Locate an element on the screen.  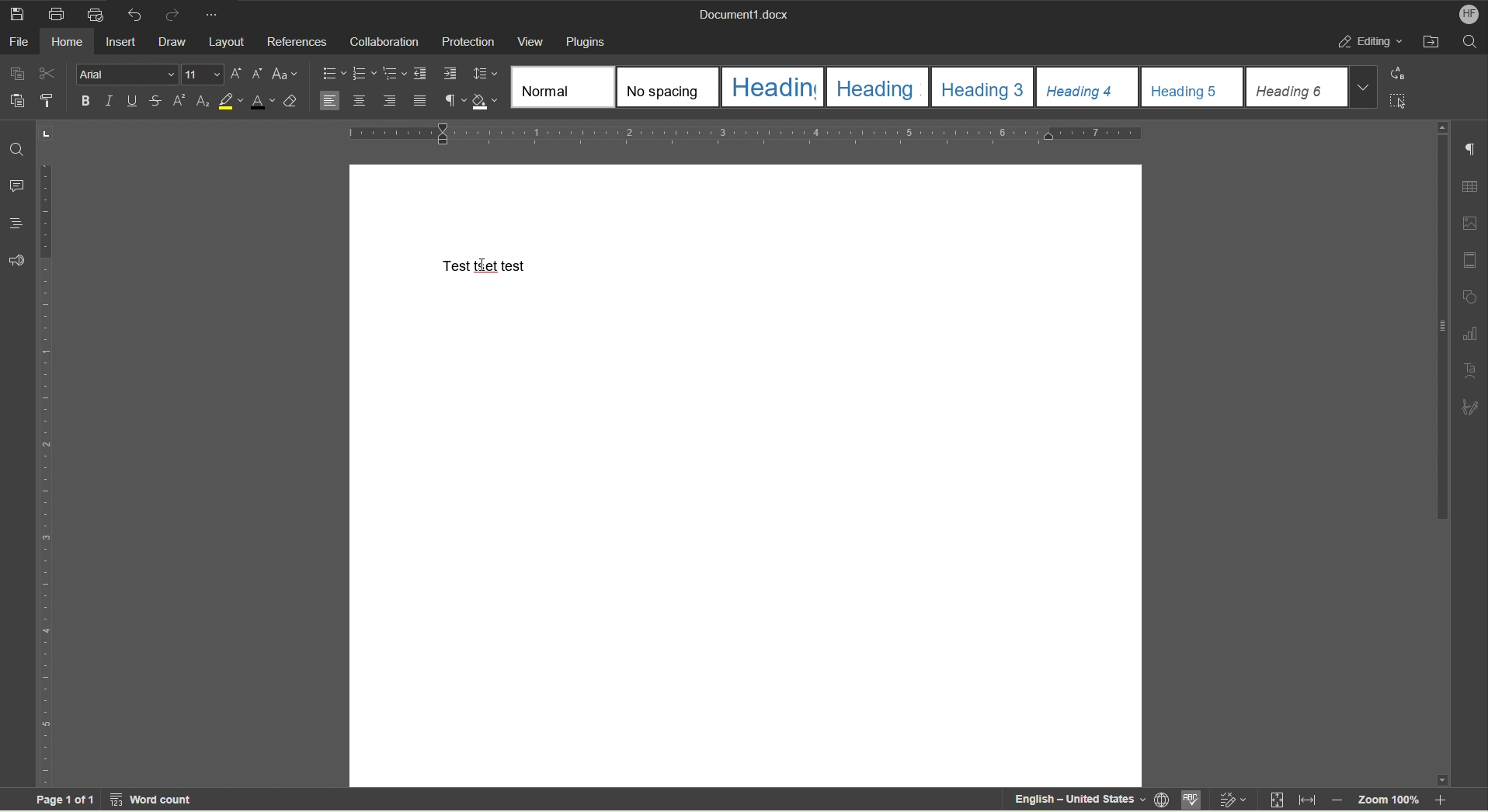
Replace is located at coordinates (1396, 75).